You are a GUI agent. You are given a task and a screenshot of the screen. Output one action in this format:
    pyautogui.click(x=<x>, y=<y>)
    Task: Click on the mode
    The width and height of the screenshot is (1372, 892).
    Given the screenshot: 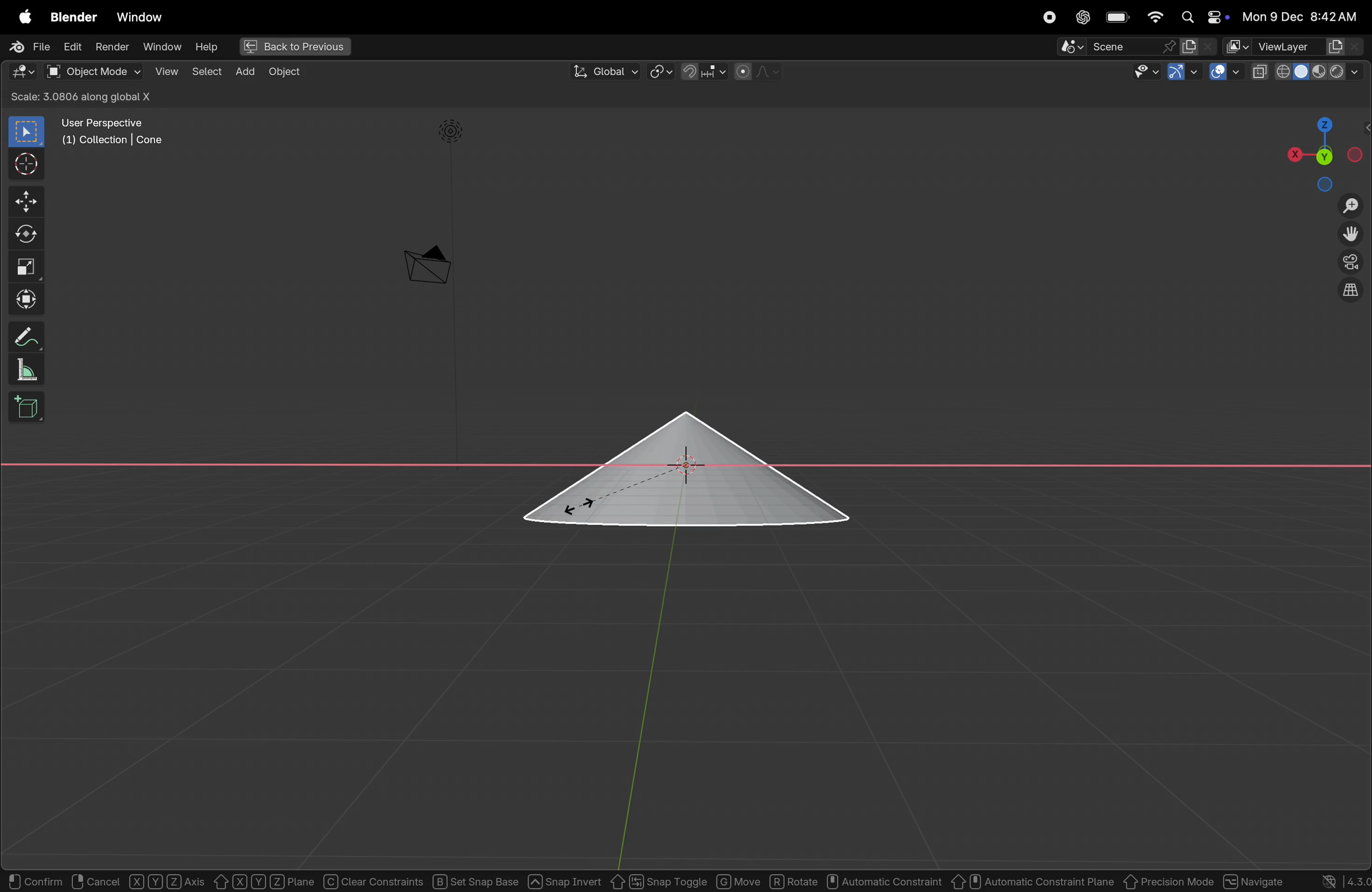 What is the action you would take?
    pyautogui.click(x=107, y=97)
    